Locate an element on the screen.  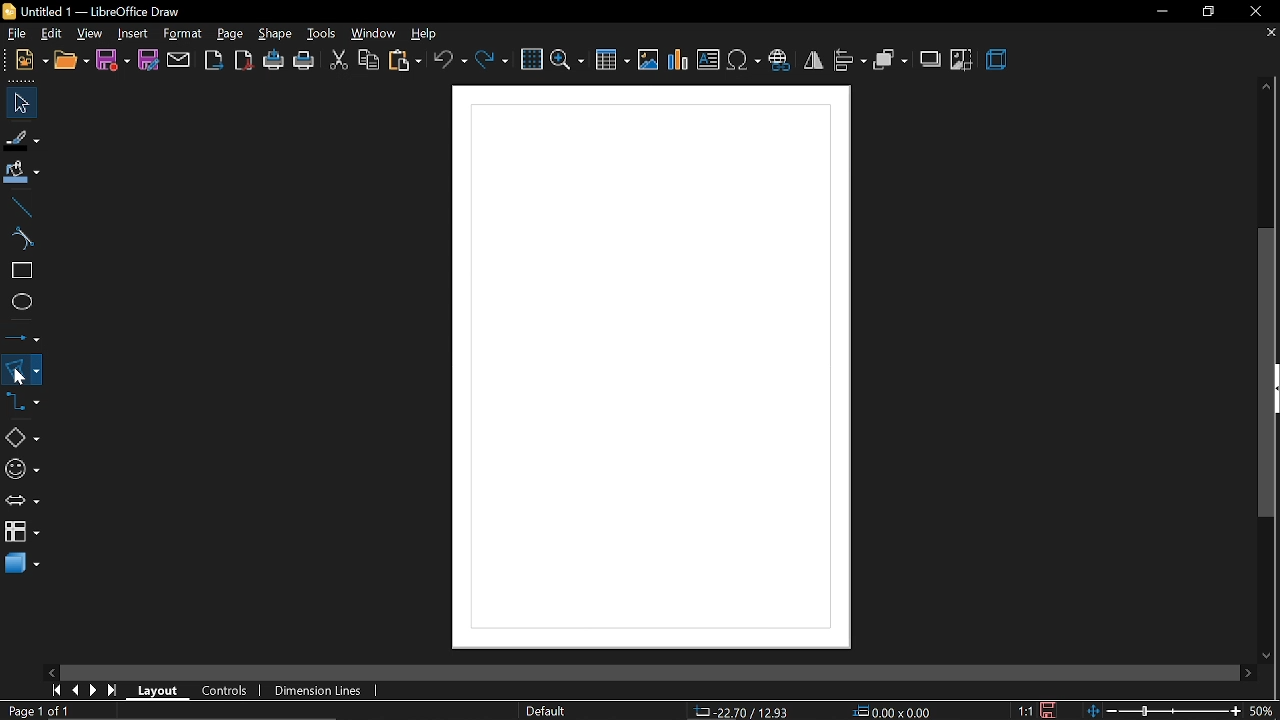
fromat is located at coordinates (182, 34).